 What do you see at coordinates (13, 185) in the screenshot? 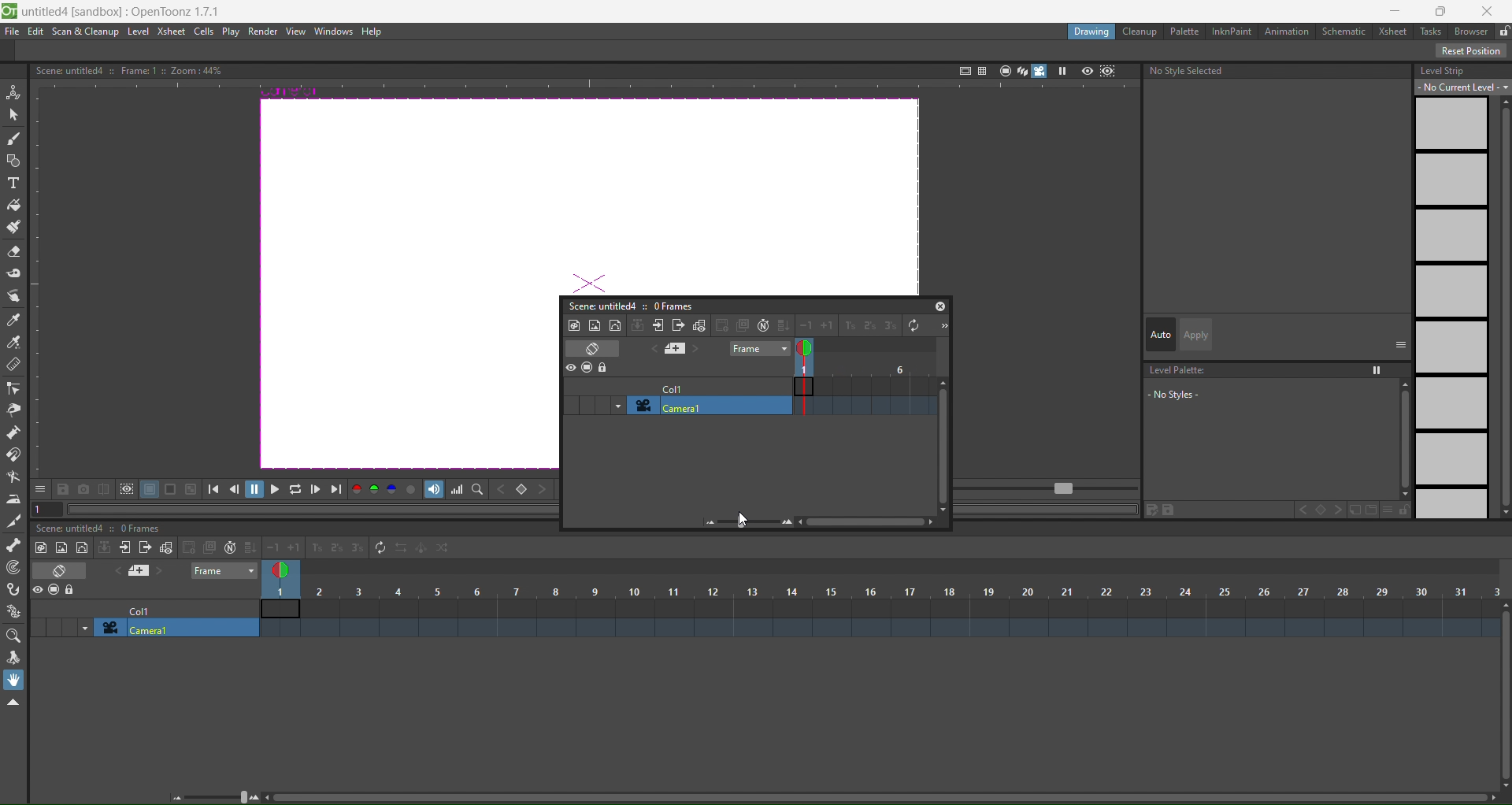
I see `type tool` at bounding box center [13, 185].